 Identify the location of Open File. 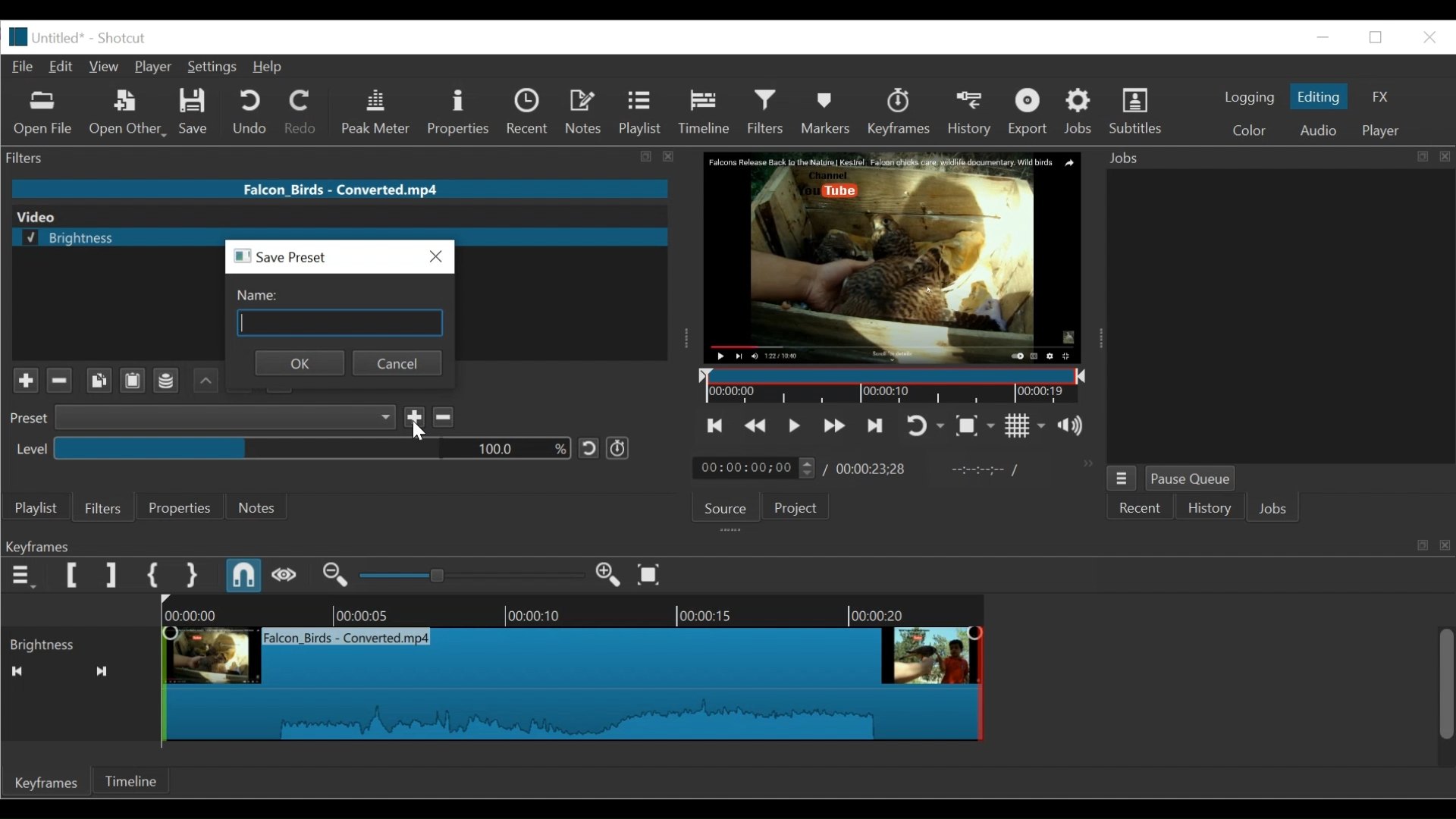
(44, 115).